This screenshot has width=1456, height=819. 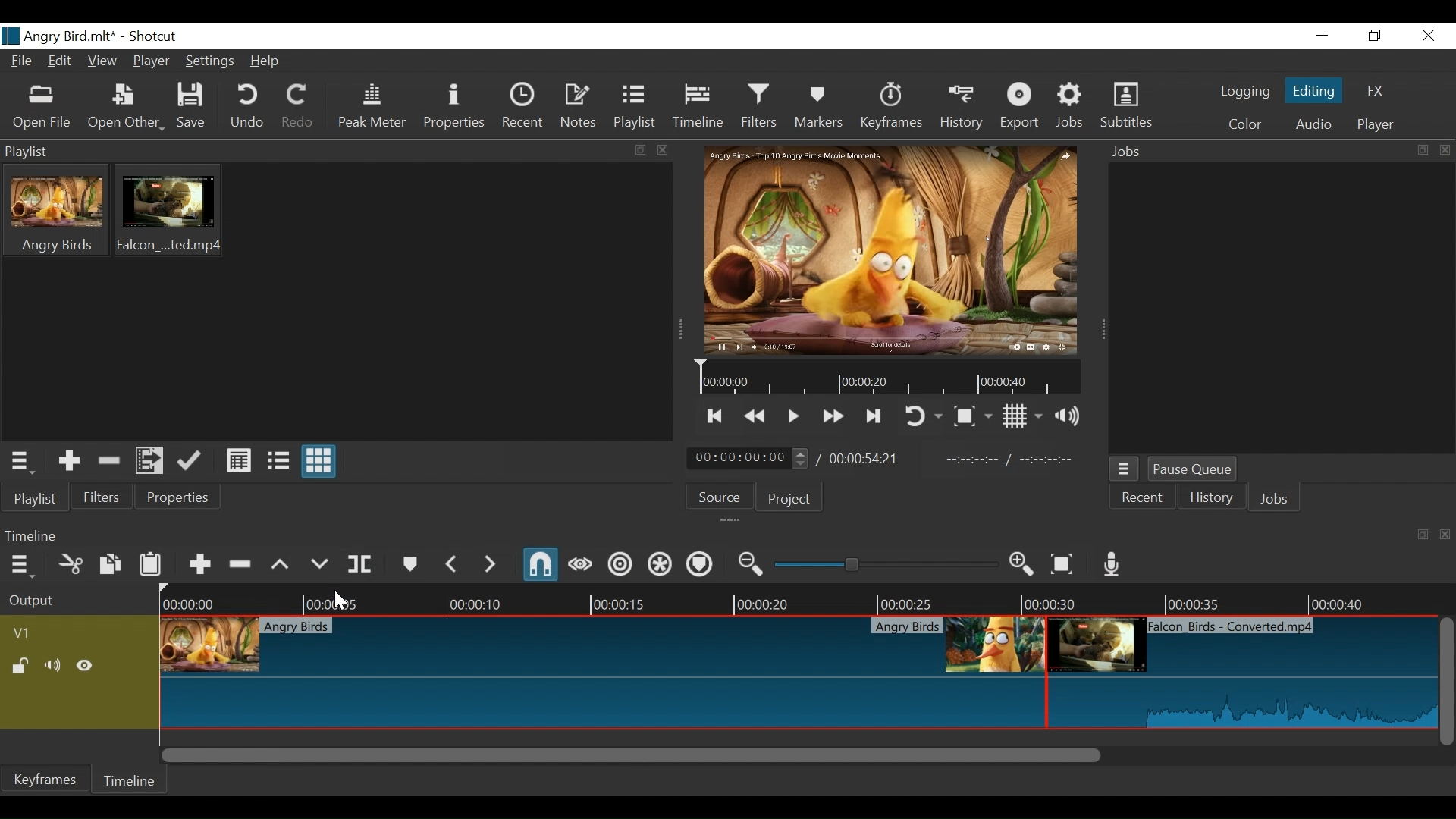 I want to click on Open File, so click(x=126, y=108).